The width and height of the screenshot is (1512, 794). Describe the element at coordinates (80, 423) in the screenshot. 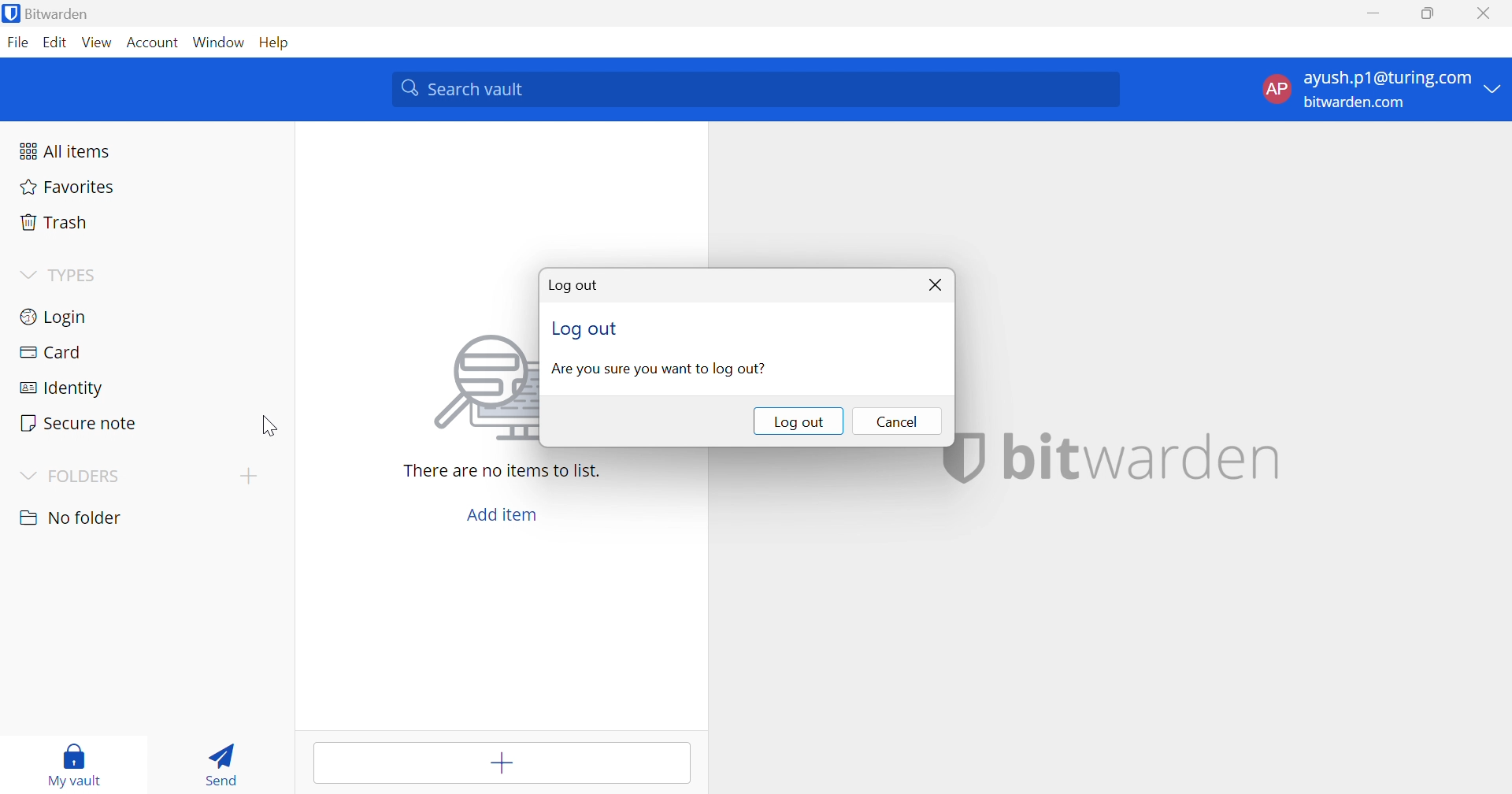

I see `Secure note` at that location.